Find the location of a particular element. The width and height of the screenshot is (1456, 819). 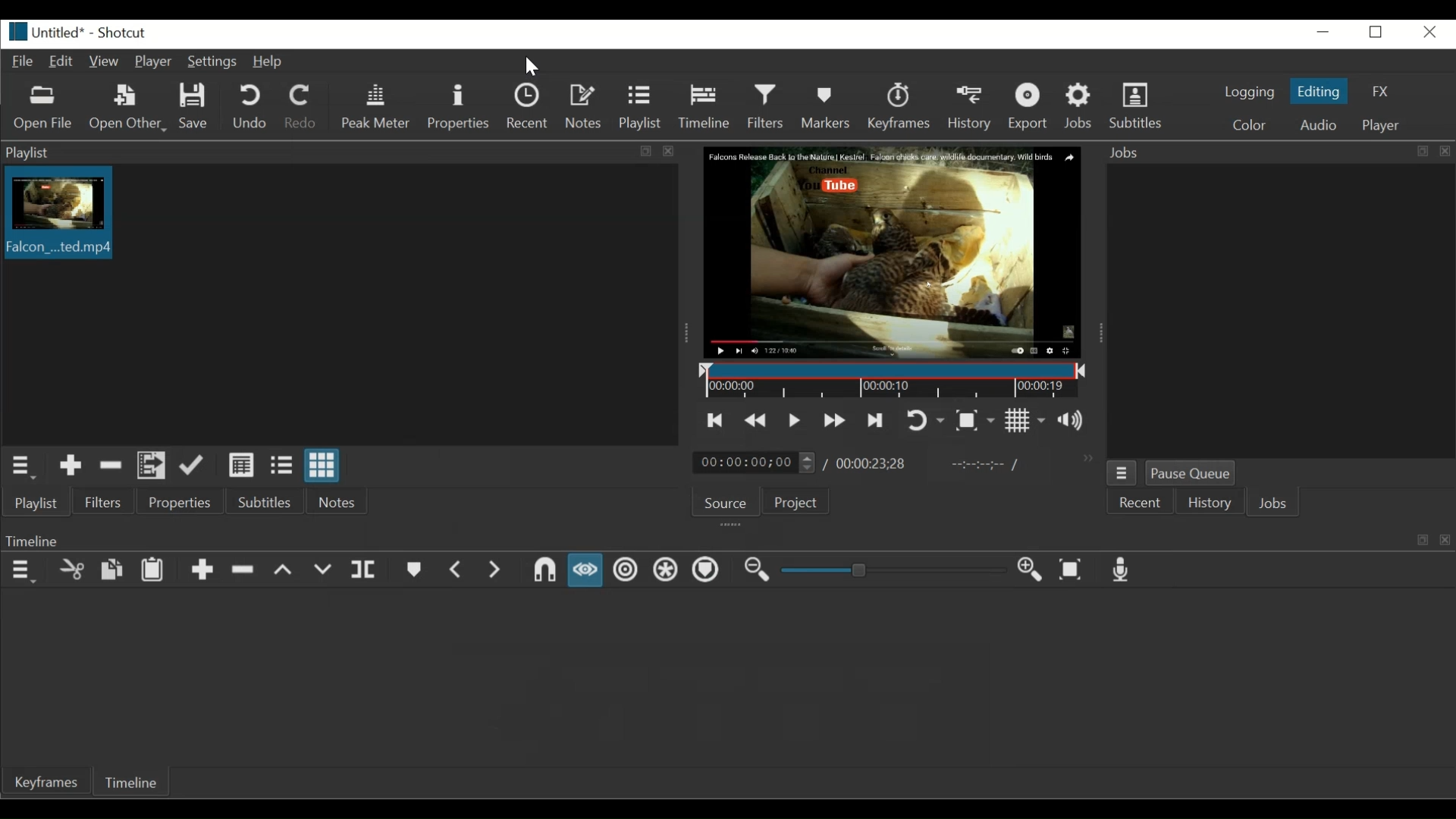

Create/Edit Marker is located at coordinates (413, 570).